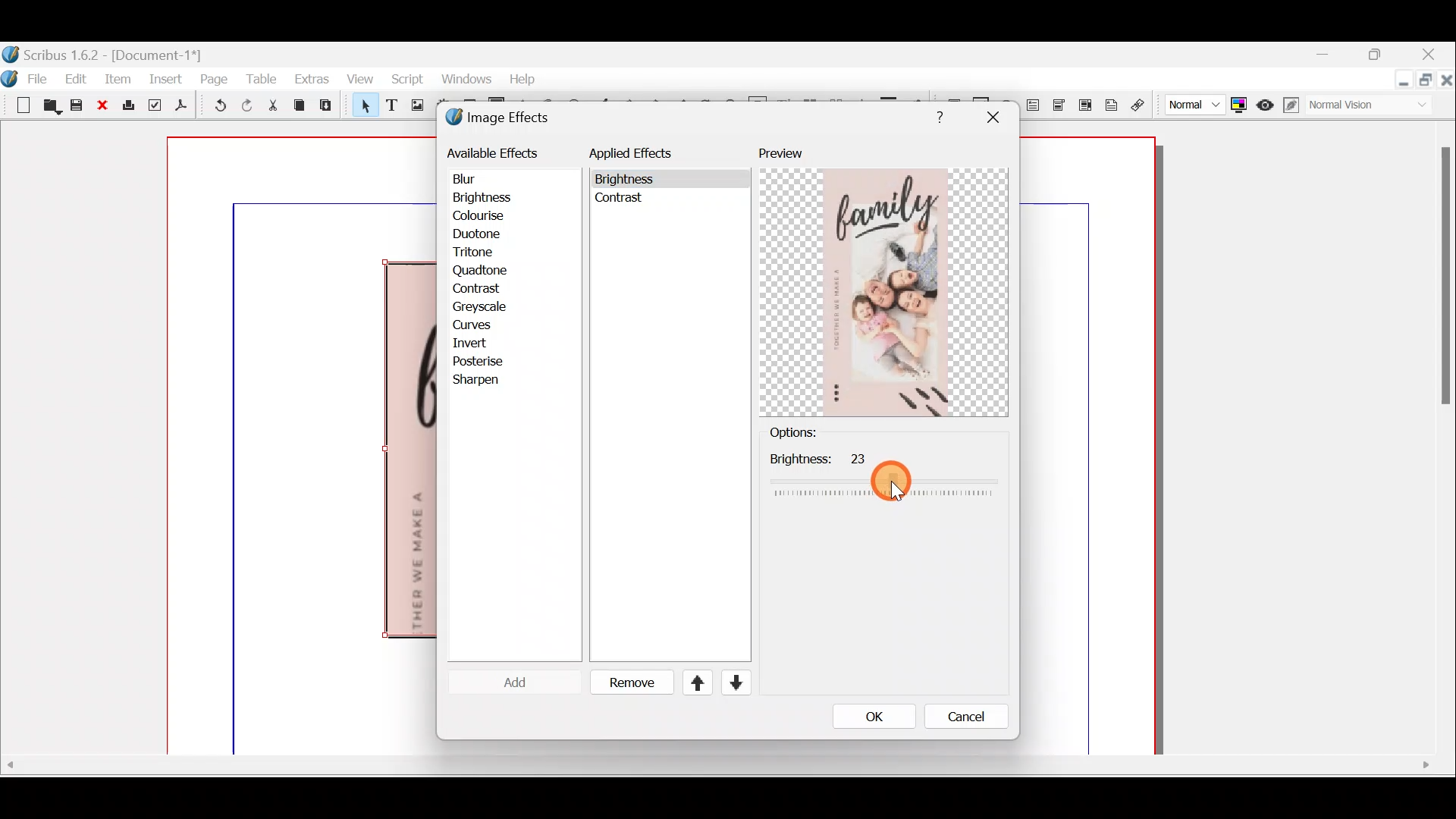 The image size is (1456, 819). What do you see at coordinates (79, 107) in the screenshot?
I see `Save` at bounding box center [79, 107].